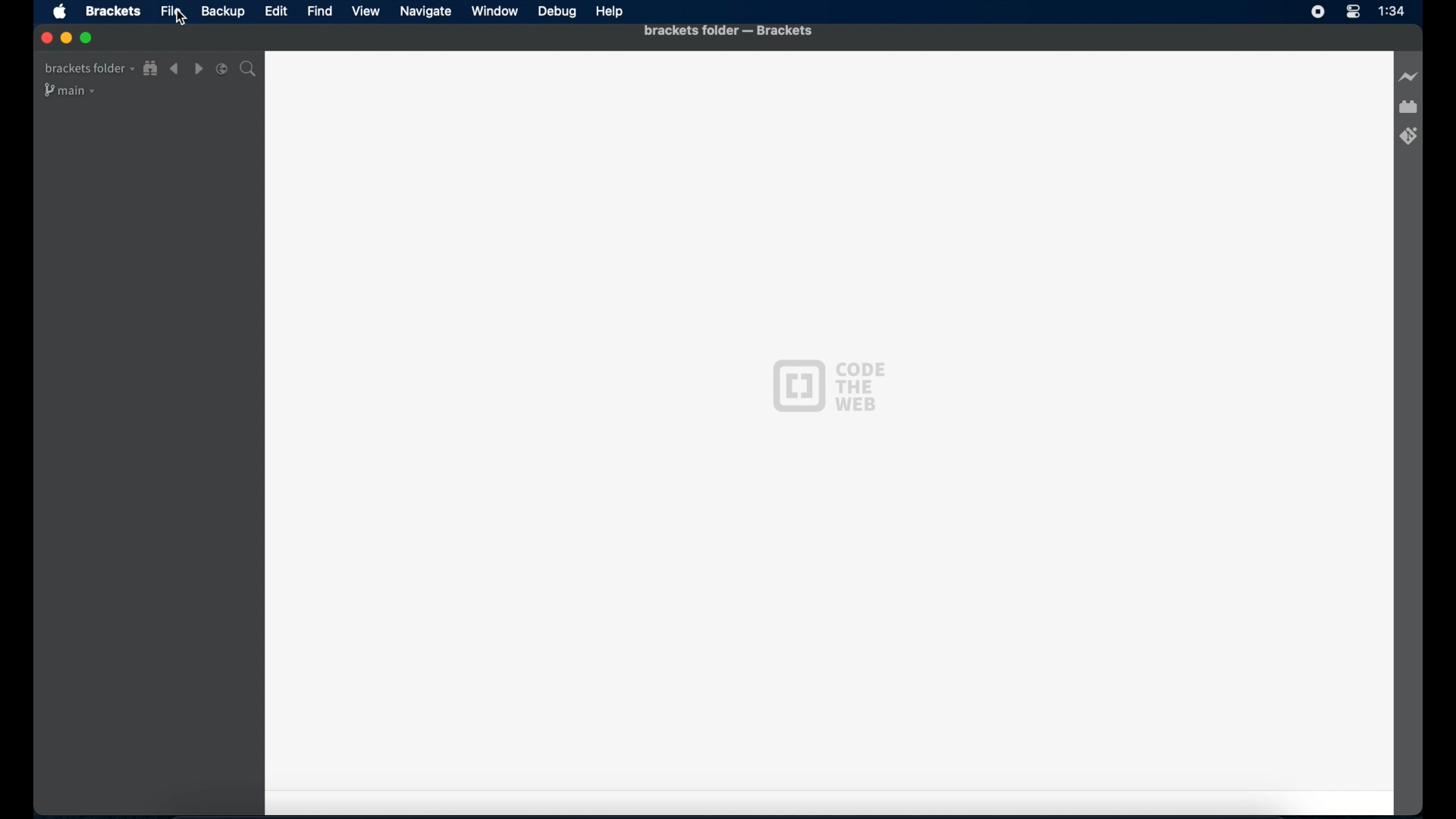 The height and width of the screenshot is (819, 1456). What do you see at coordinates (425, 12) in the screenshot?
I see `Navigate` at bounding box center [425, 12].